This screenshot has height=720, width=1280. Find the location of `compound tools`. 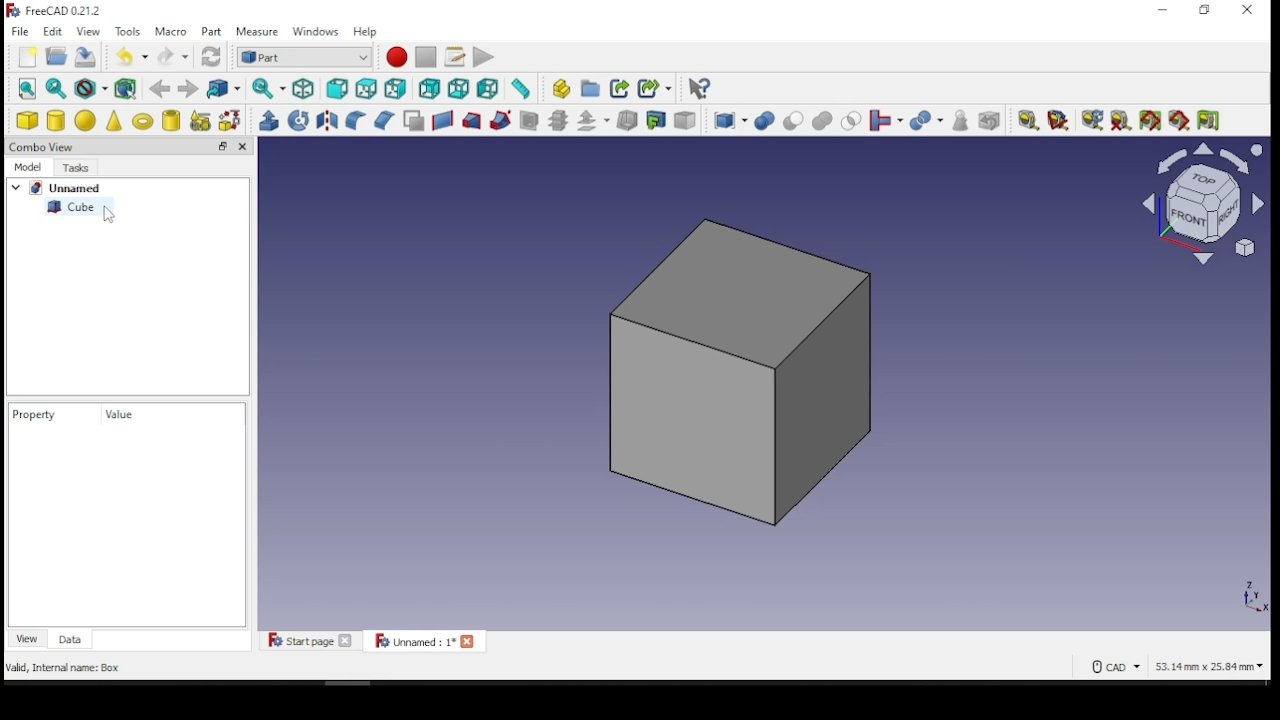

compound tools is located at coordinates (729, 121).